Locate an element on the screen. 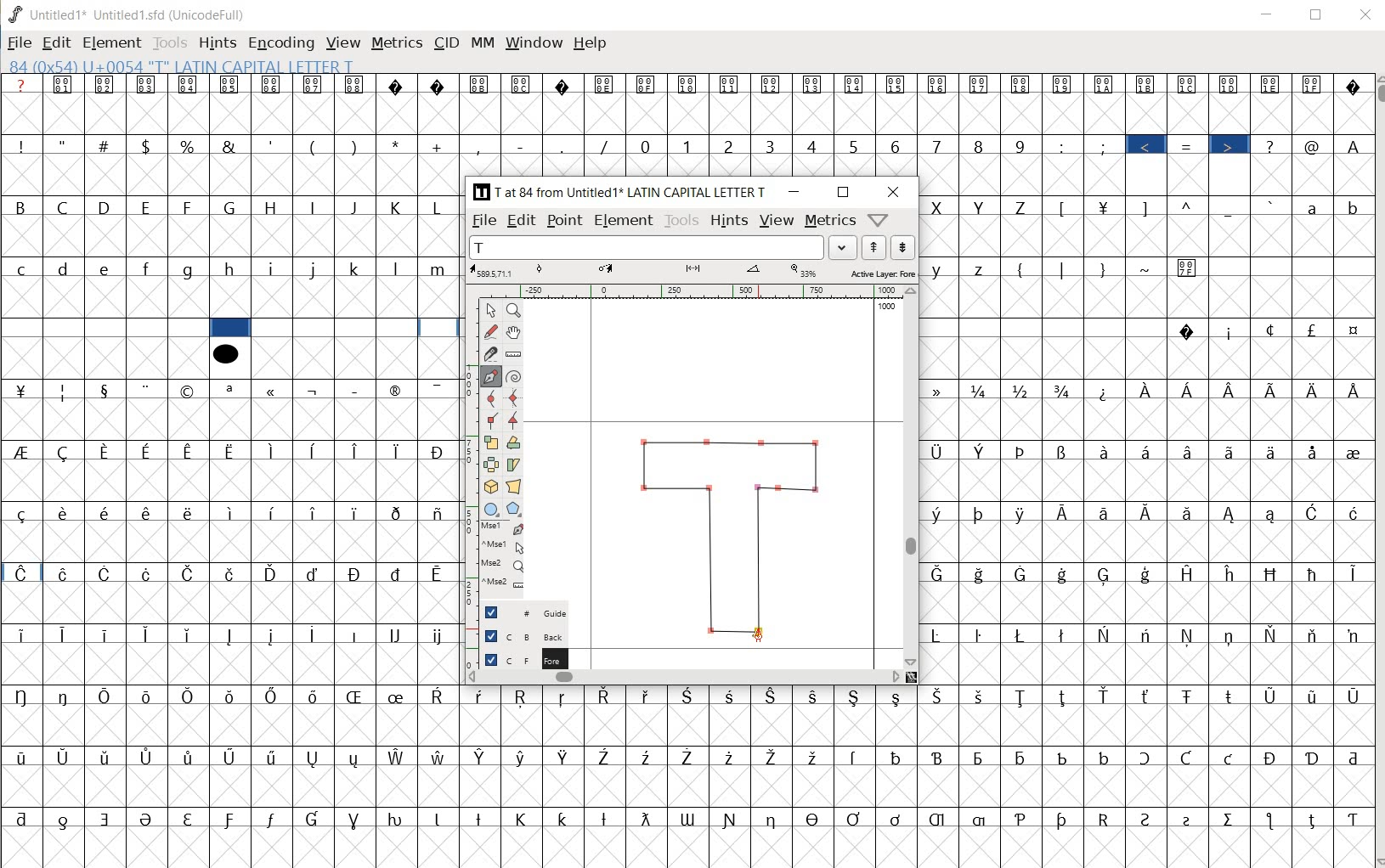 This screenshot has width=1385, height=868. Symbol is located at coordinates (21, 389).